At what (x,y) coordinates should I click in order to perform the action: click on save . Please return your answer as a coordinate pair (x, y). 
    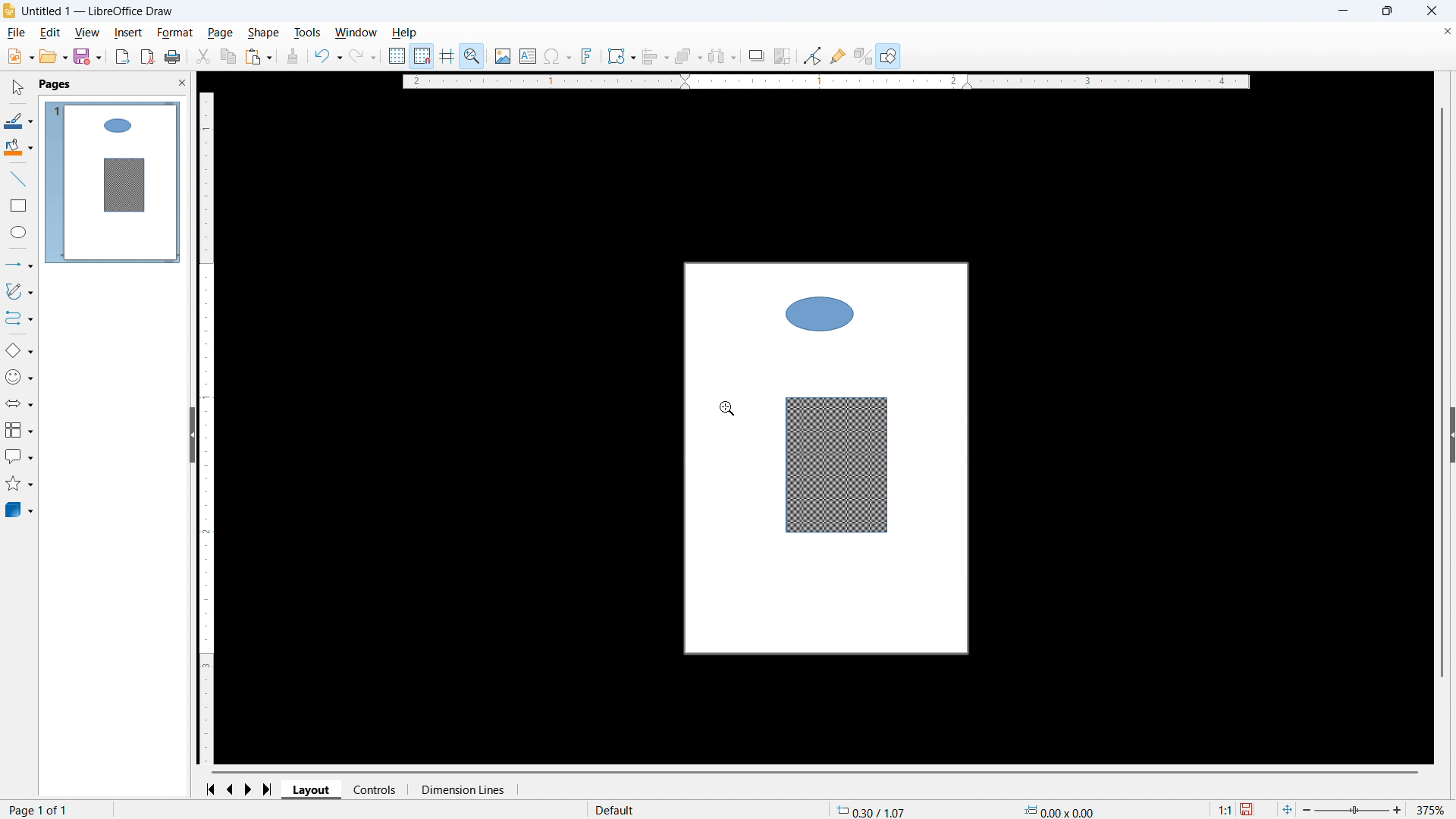
    Looking at the image, I should click on (1248, 809).